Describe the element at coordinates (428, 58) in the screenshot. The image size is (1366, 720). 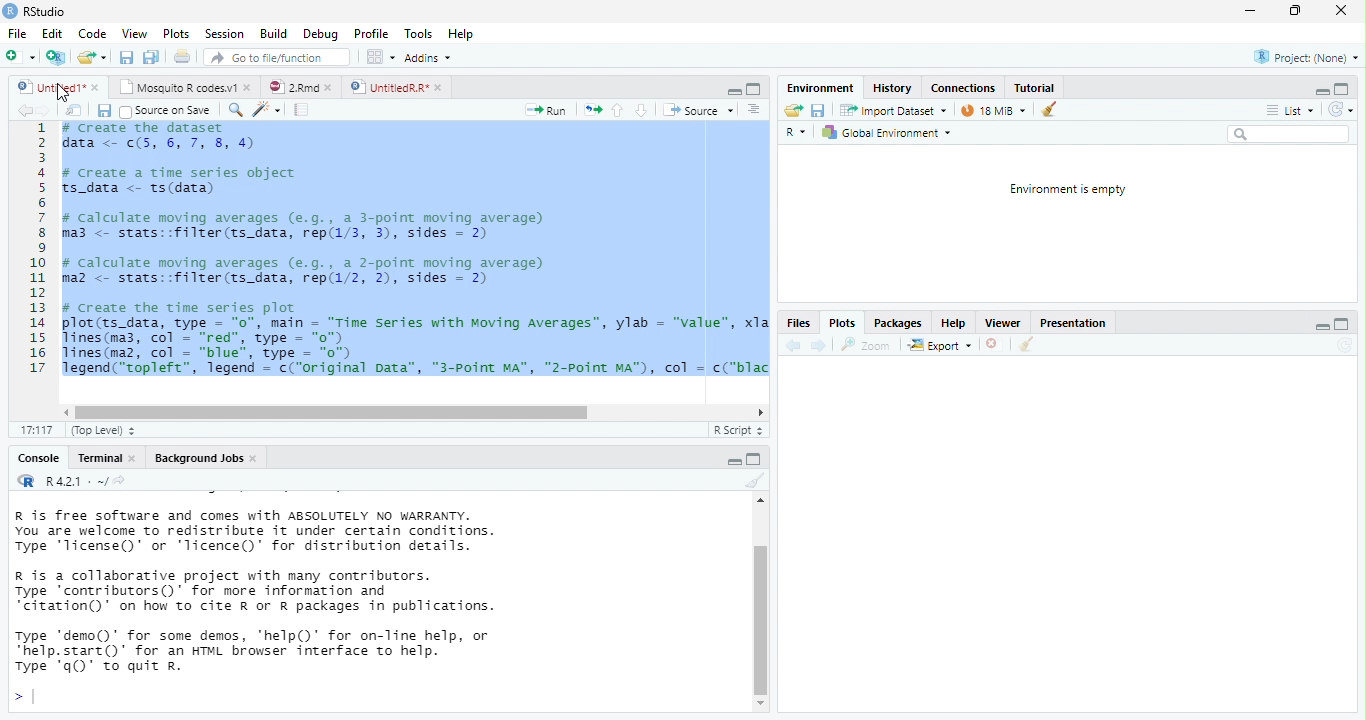
I see `Addins` at that location.